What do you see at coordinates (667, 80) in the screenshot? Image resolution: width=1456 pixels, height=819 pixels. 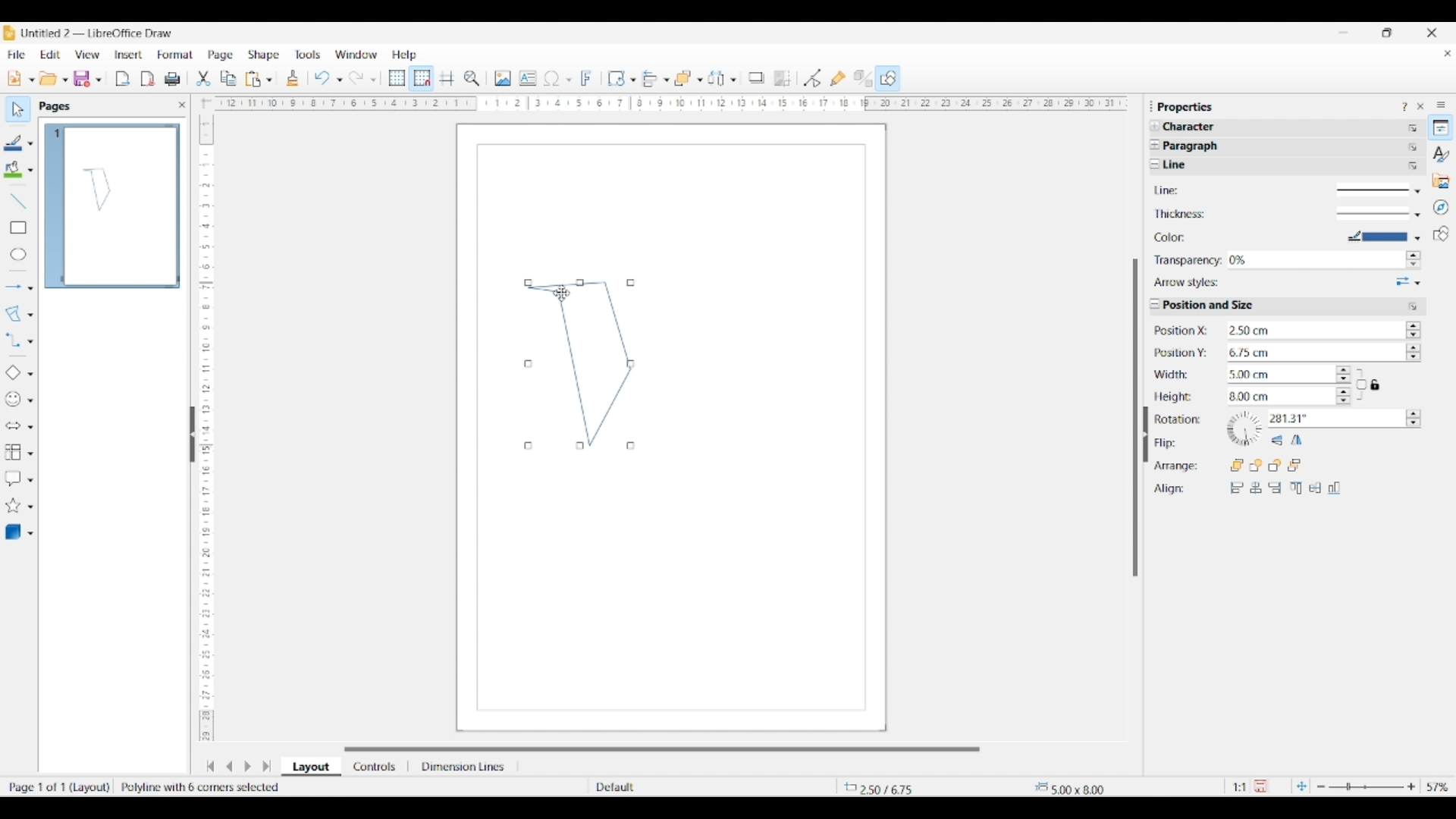 I see `Align object options` at bounding box center [667, 80].